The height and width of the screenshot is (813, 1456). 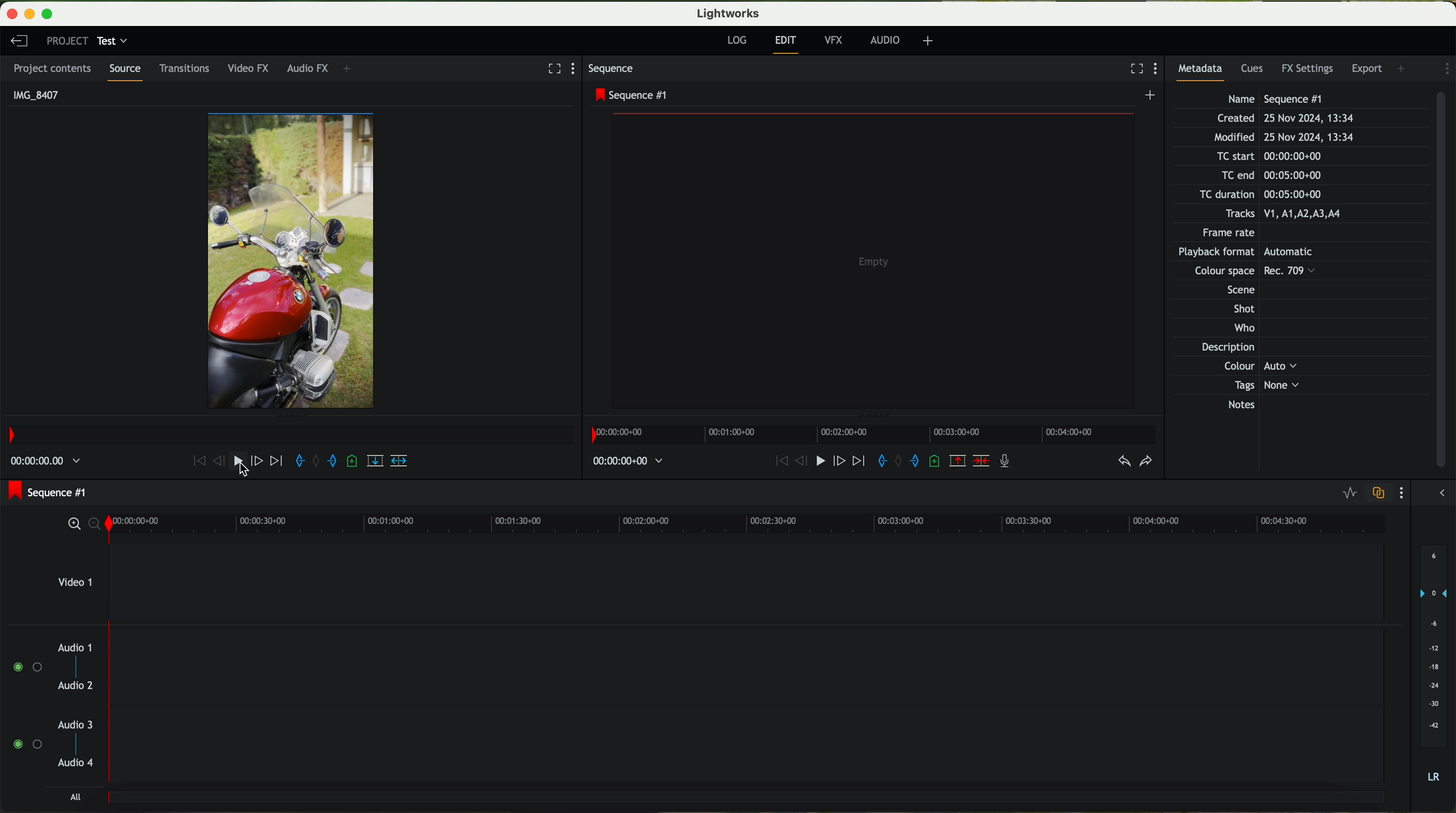 I want to click on zoom out, so click(x=94, y=526).